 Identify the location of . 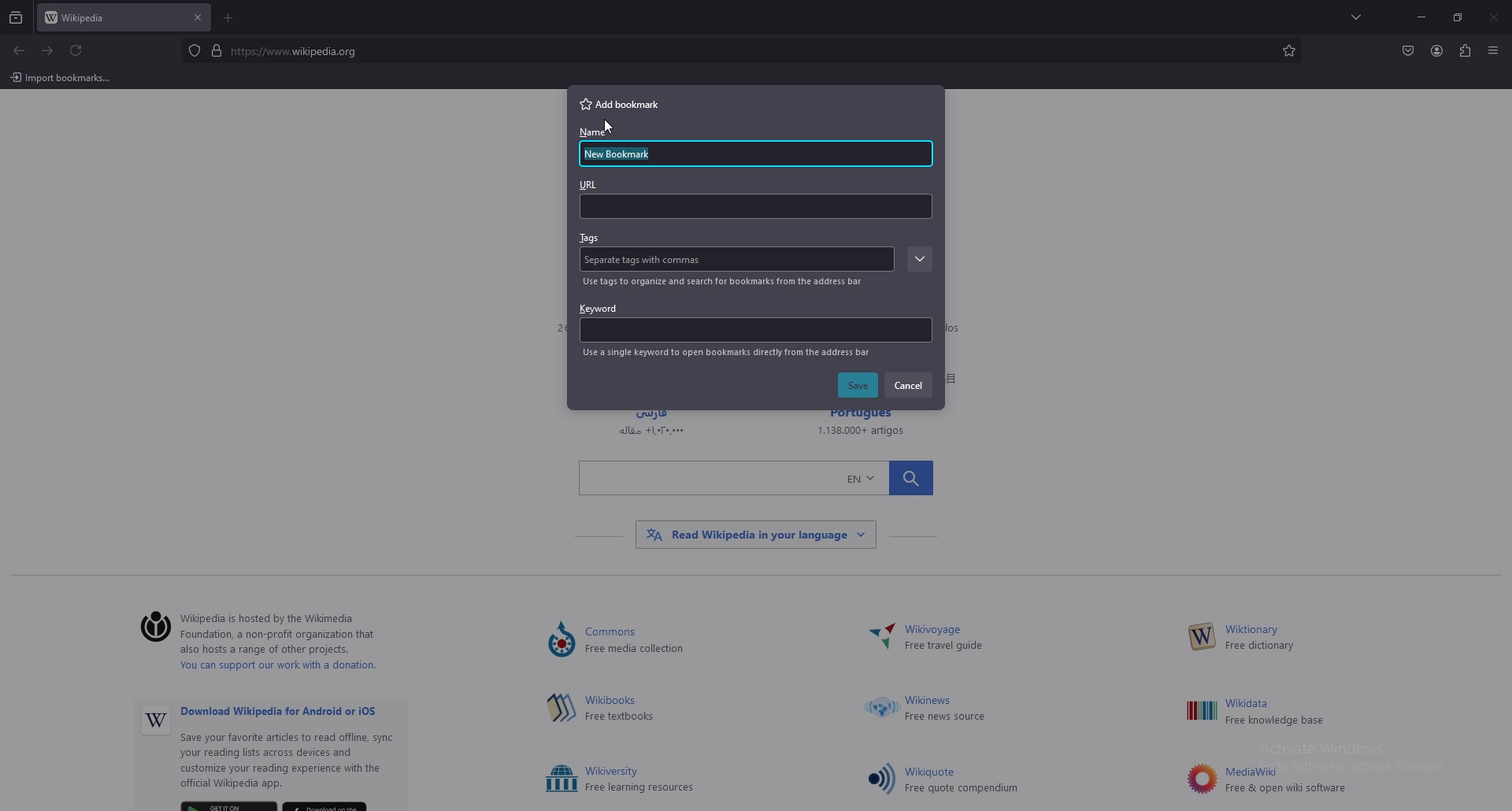
(300, 750).